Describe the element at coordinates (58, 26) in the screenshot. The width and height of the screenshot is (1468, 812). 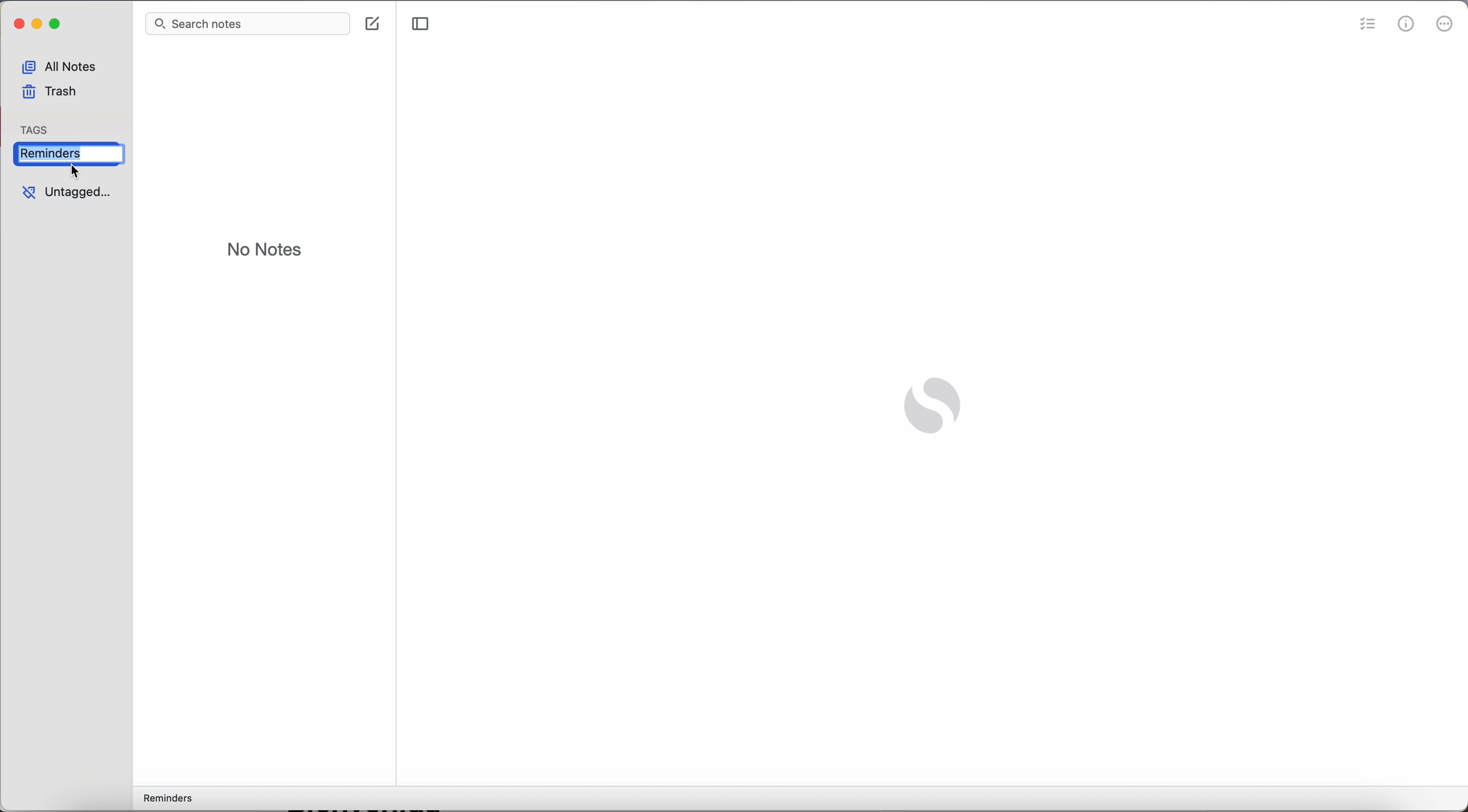
I see `maximize Simplenote` at that location.